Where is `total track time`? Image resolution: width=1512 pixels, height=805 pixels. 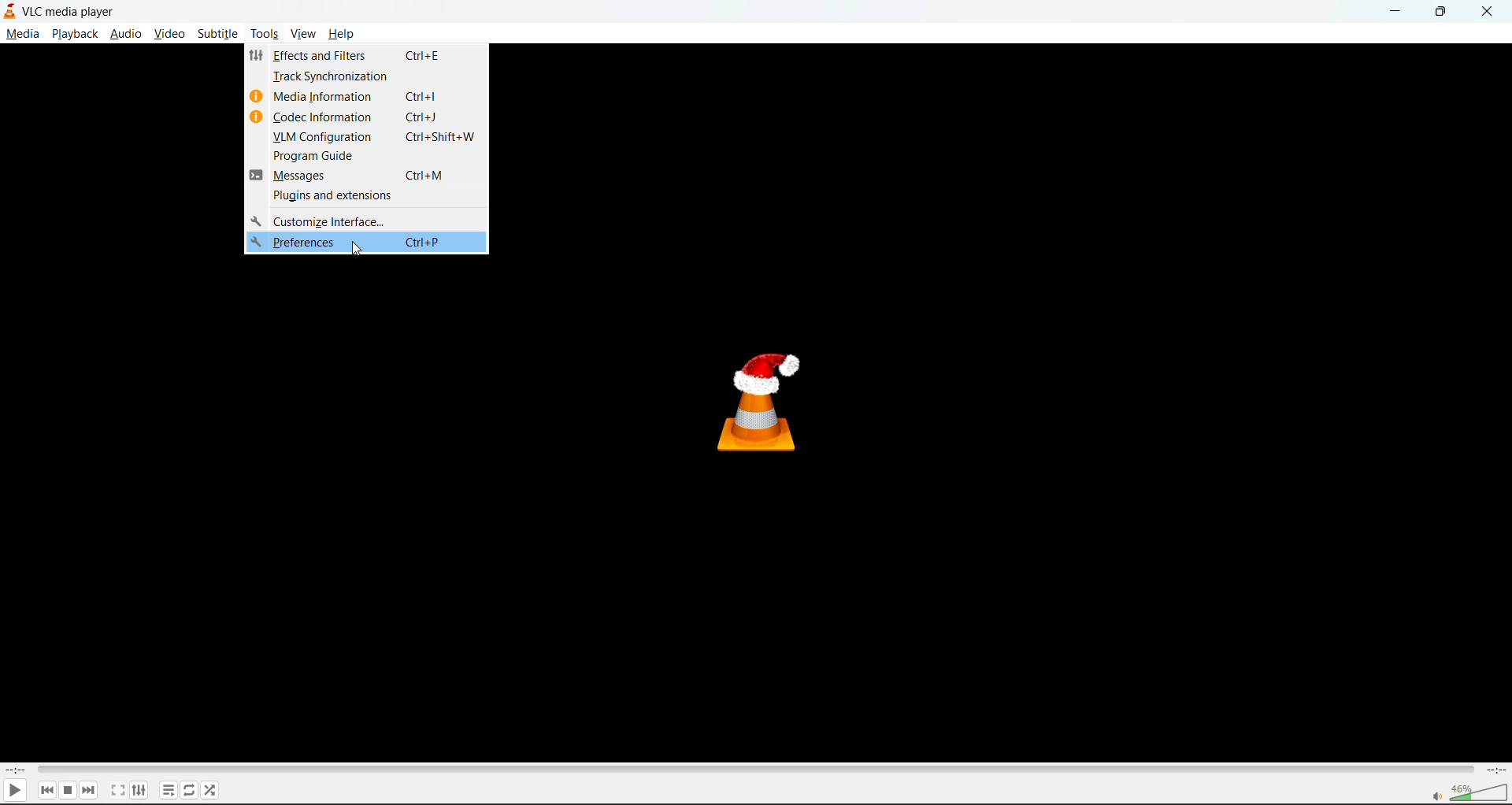 total track time is located at coordinates (1495, 769).